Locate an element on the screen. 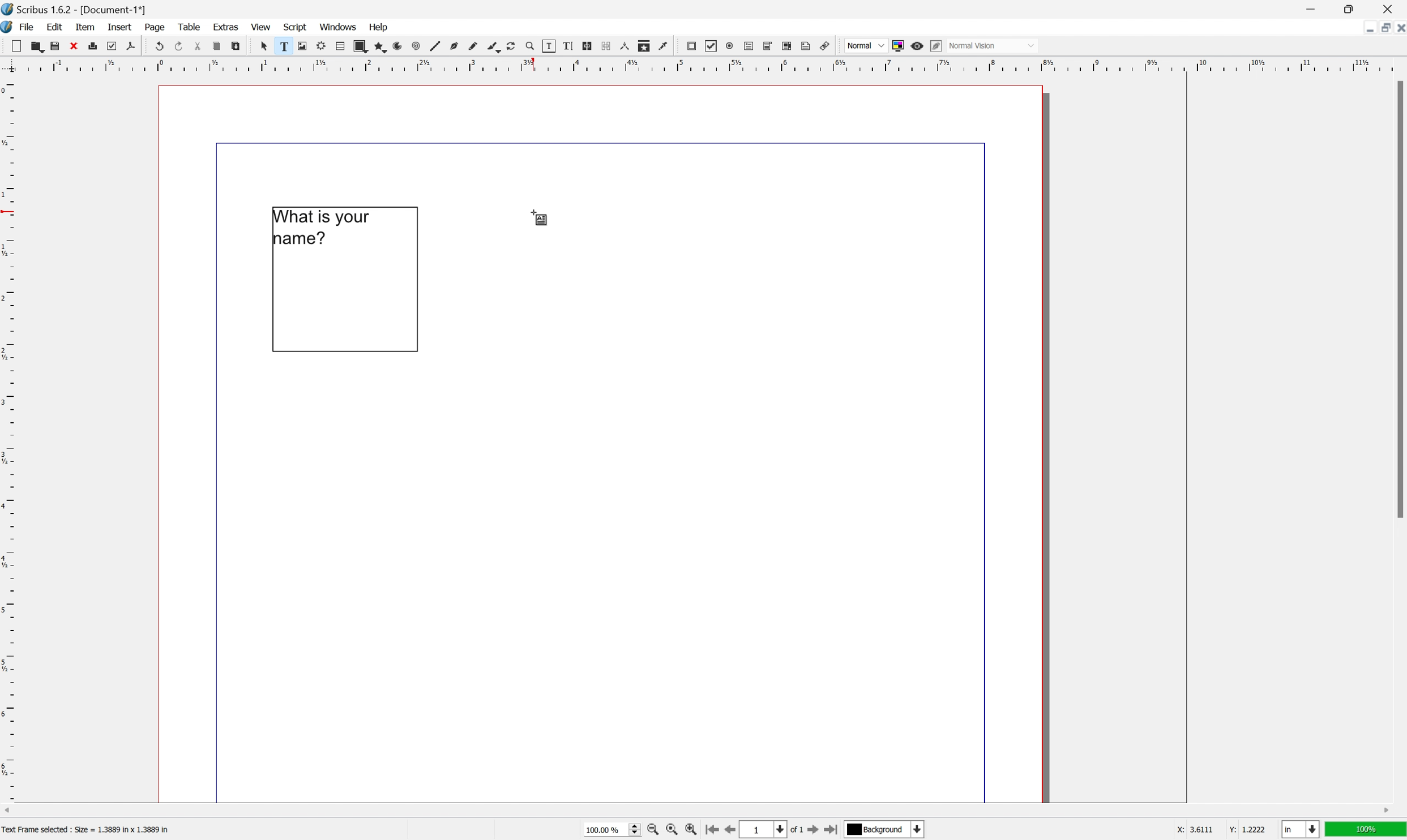 This screenshot has height=840, width=1407. zoom in zoom out is located at coordinates (529, 46).